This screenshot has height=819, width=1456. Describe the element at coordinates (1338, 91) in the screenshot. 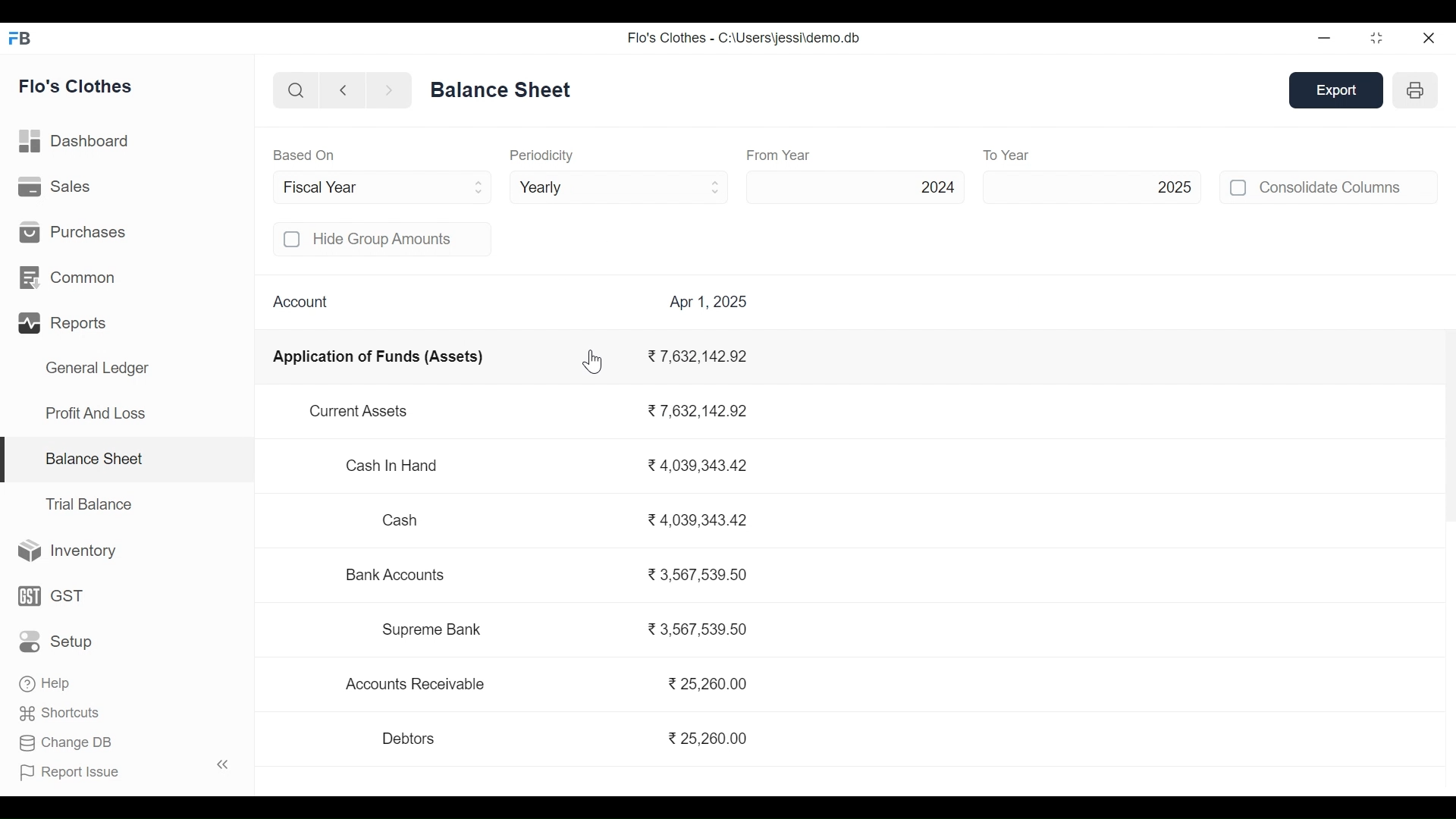

I see `Export` at that location.